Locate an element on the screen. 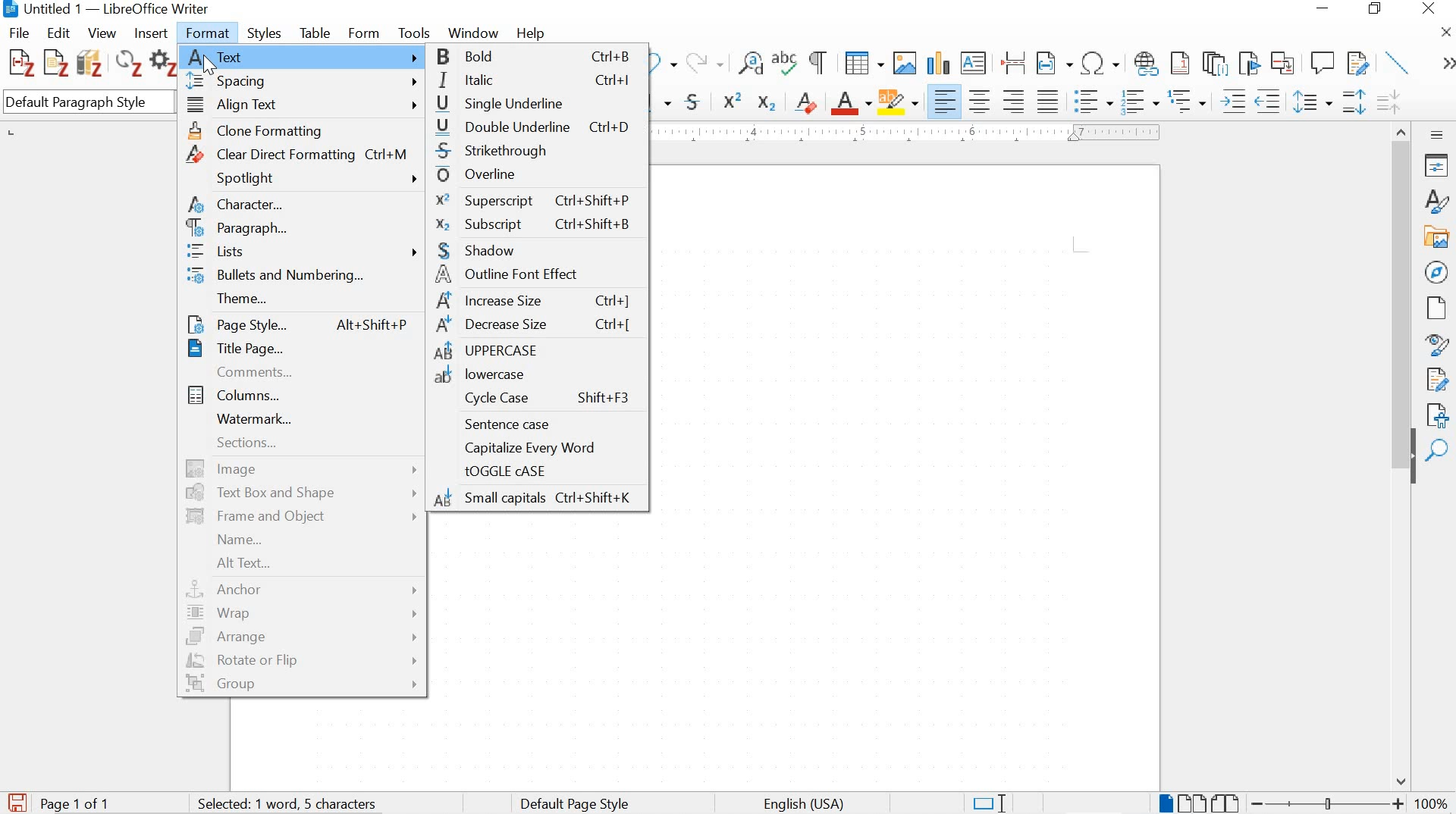  character is located at coordinates (302, 207).